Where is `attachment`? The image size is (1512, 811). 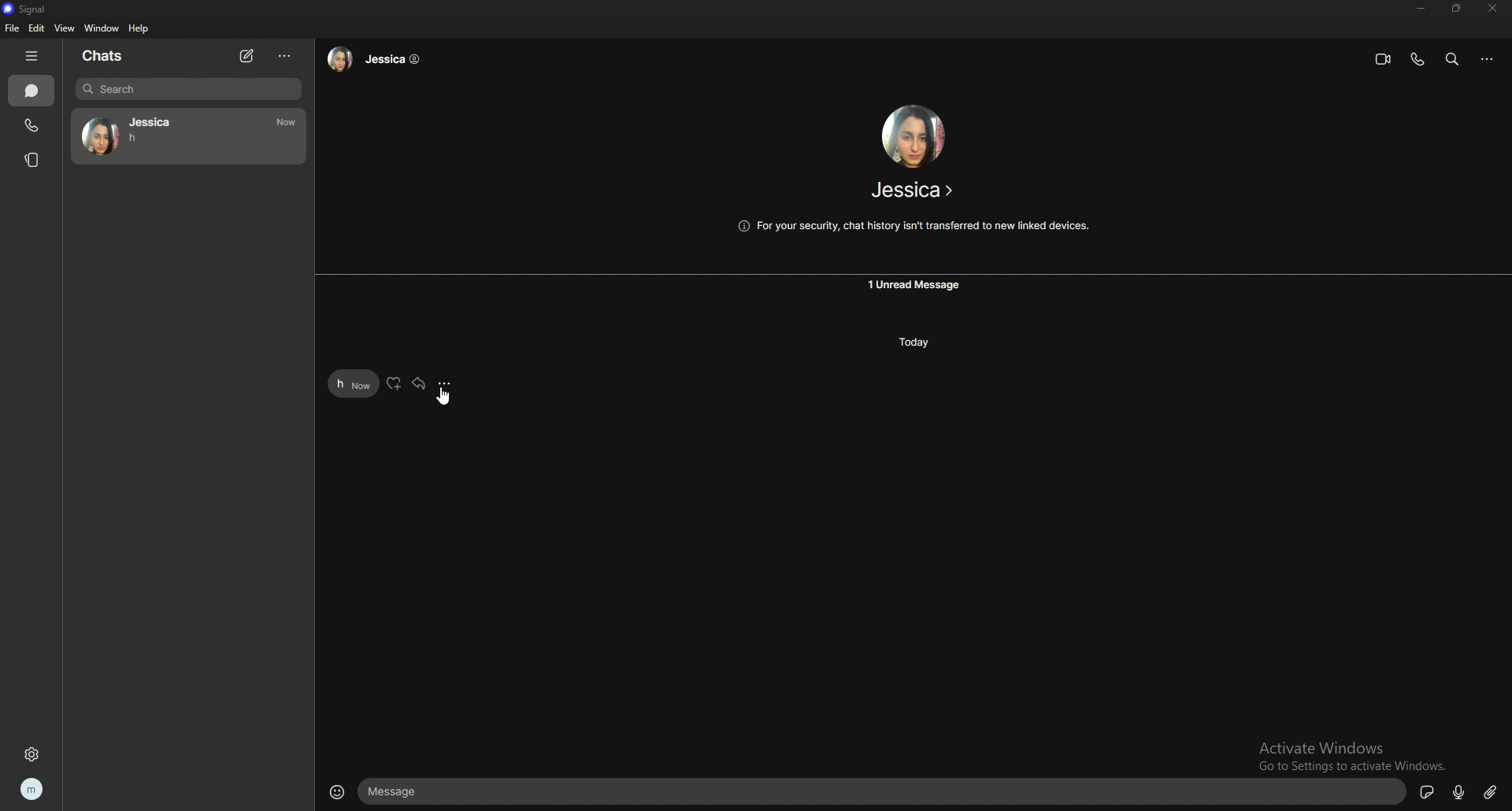 attachment is located at coordinates (1492, 791).